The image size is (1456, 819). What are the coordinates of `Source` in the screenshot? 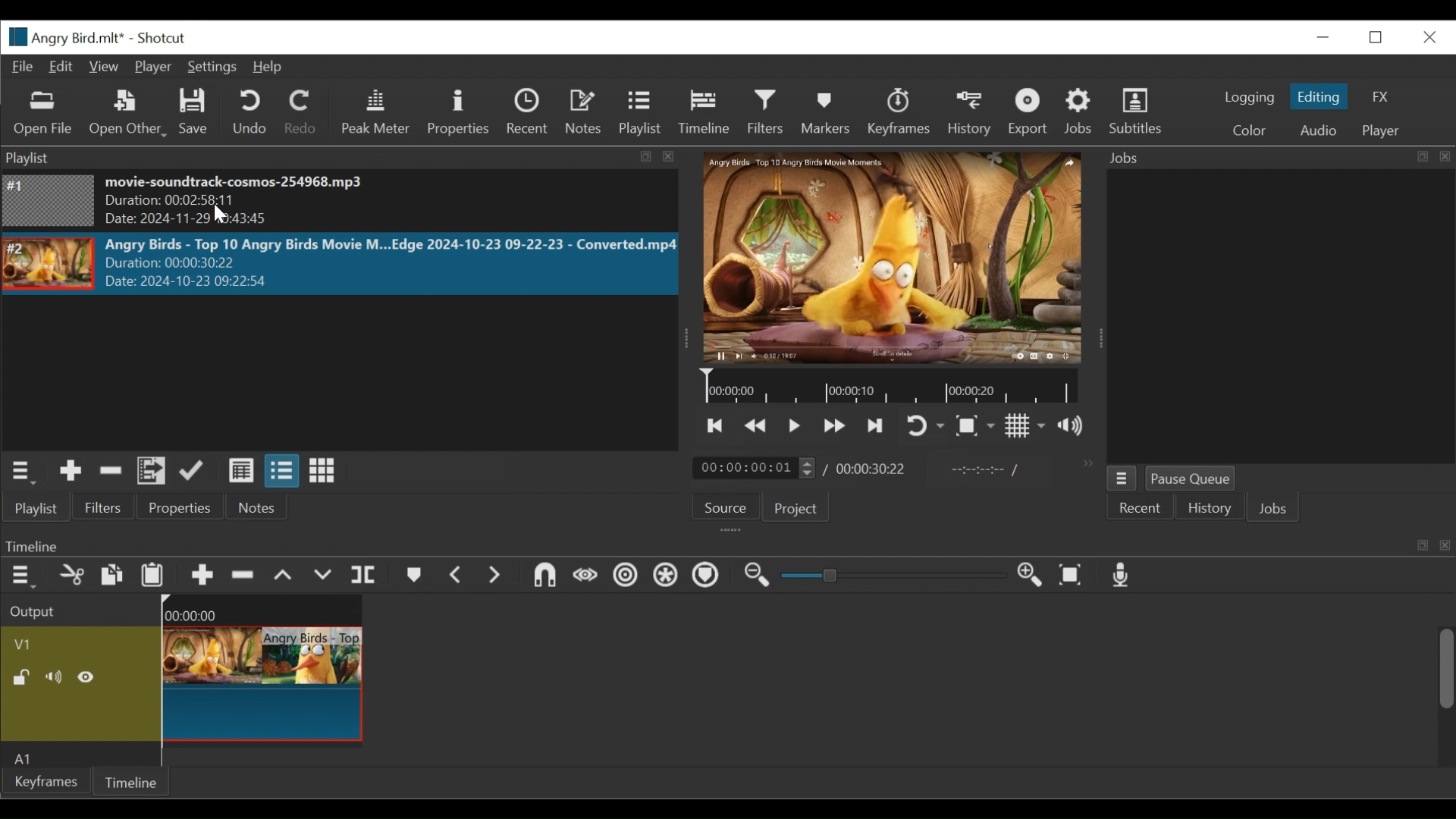 It's located at (726, 508).